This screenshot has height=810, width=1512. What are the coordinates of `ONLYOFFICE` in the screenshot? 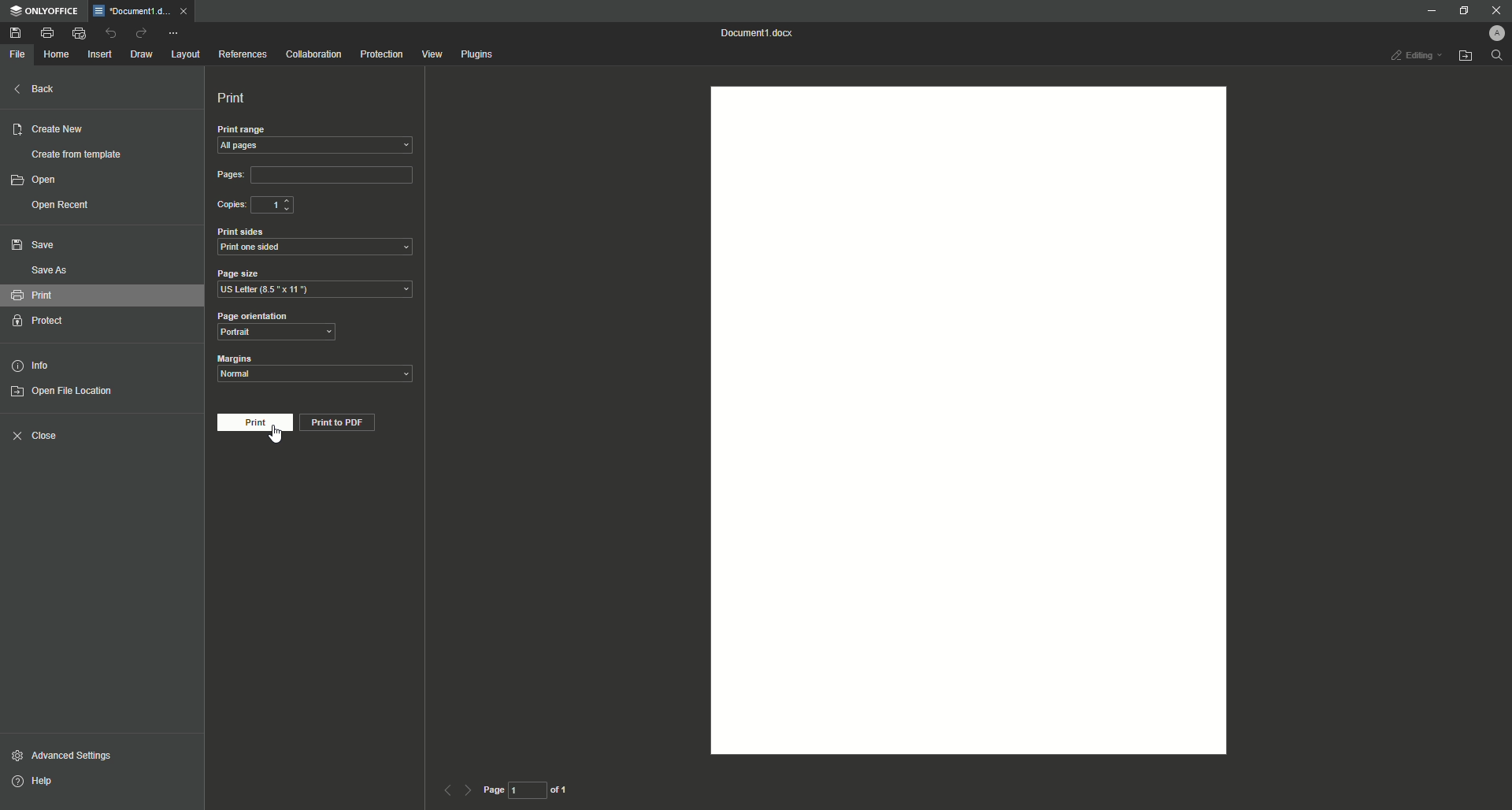 It's located at (47, 12).